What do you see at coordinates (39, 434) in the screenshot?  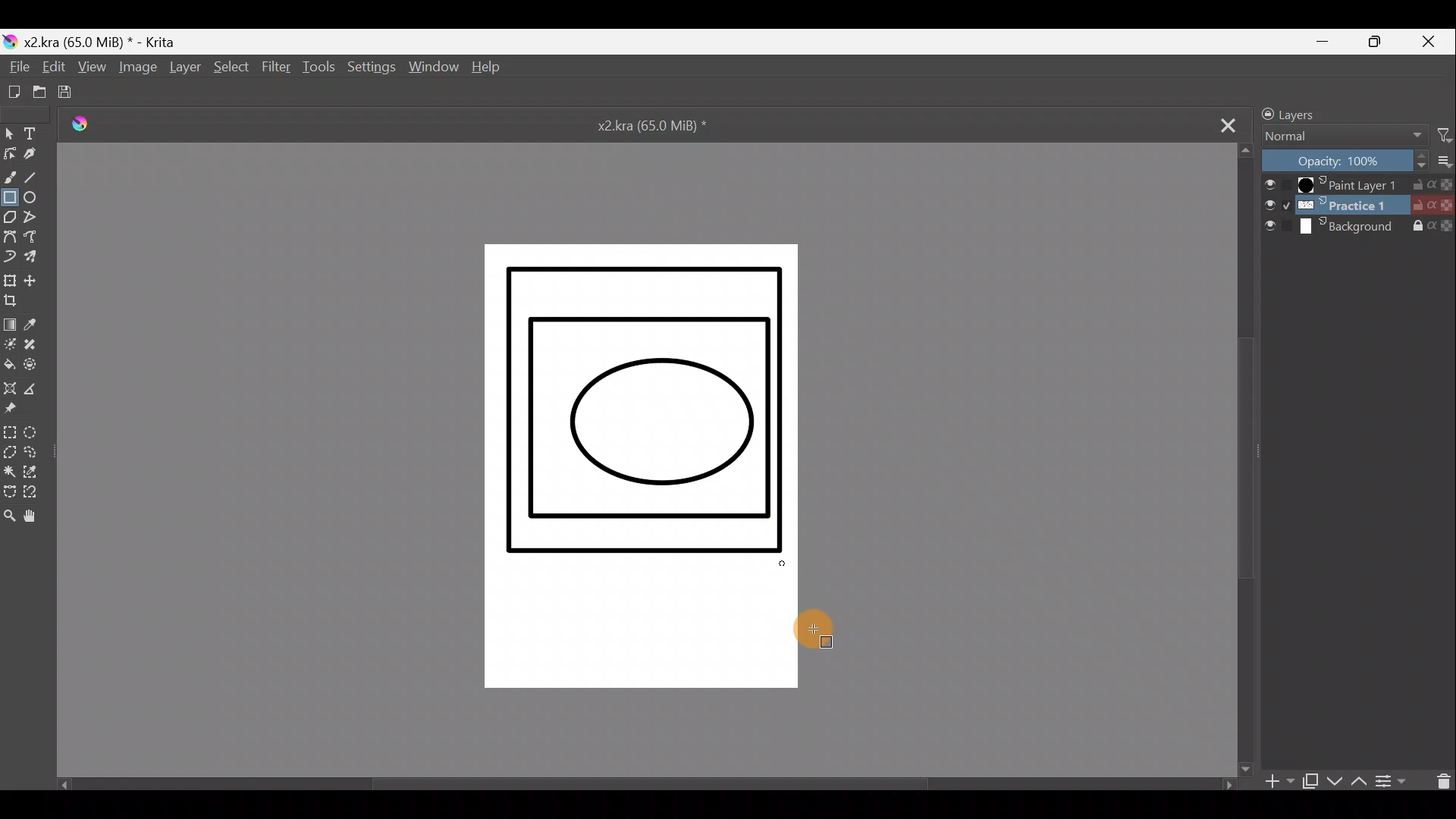 I see `Elliptical selection tool` at bounding box center [39, 434].